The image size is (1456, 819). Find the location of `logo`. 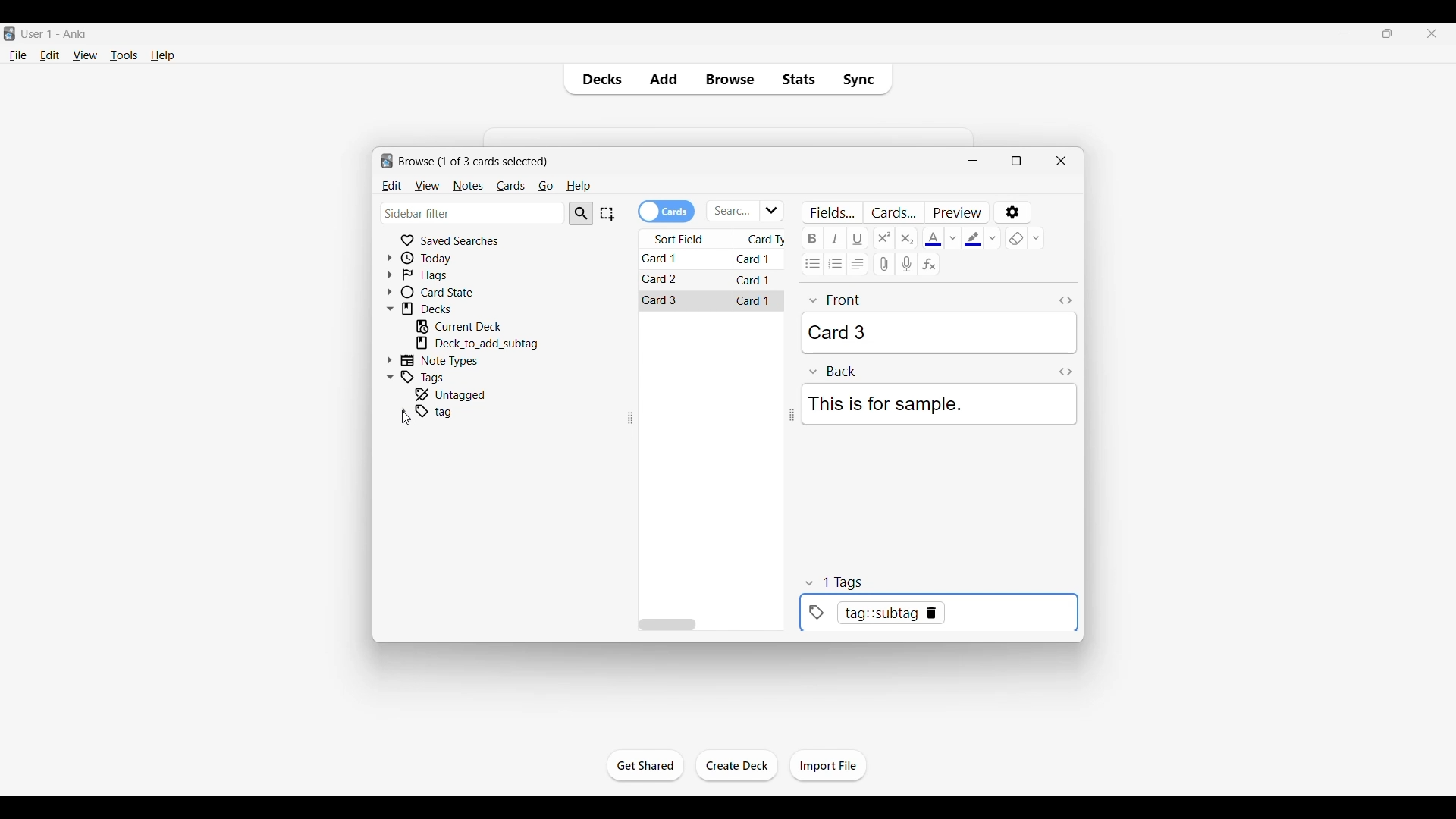

logo is located at coordinates (385, 162).